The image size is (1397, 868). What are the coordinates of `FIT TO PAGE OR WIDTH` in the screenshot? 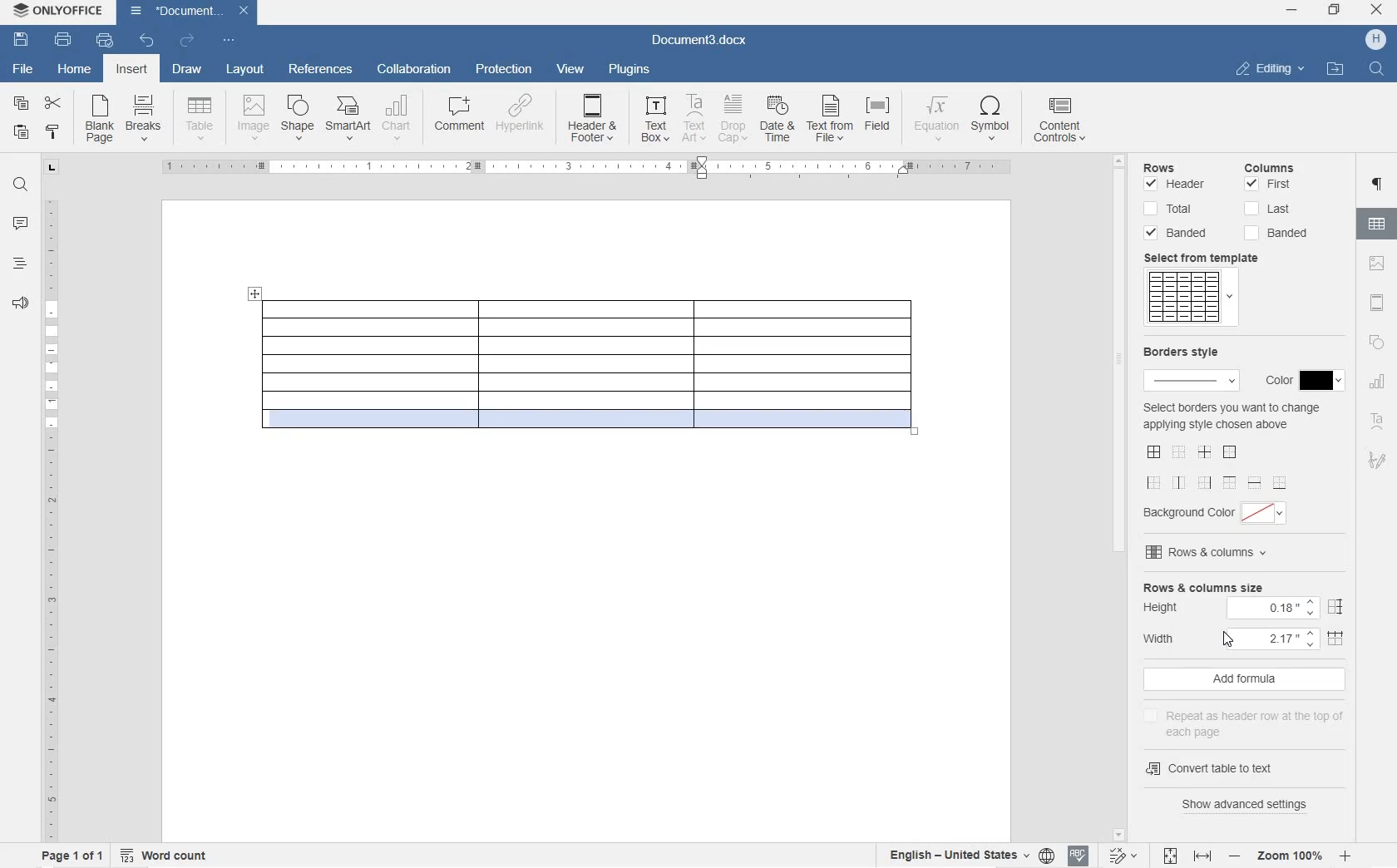 It's located at (1184, 857).